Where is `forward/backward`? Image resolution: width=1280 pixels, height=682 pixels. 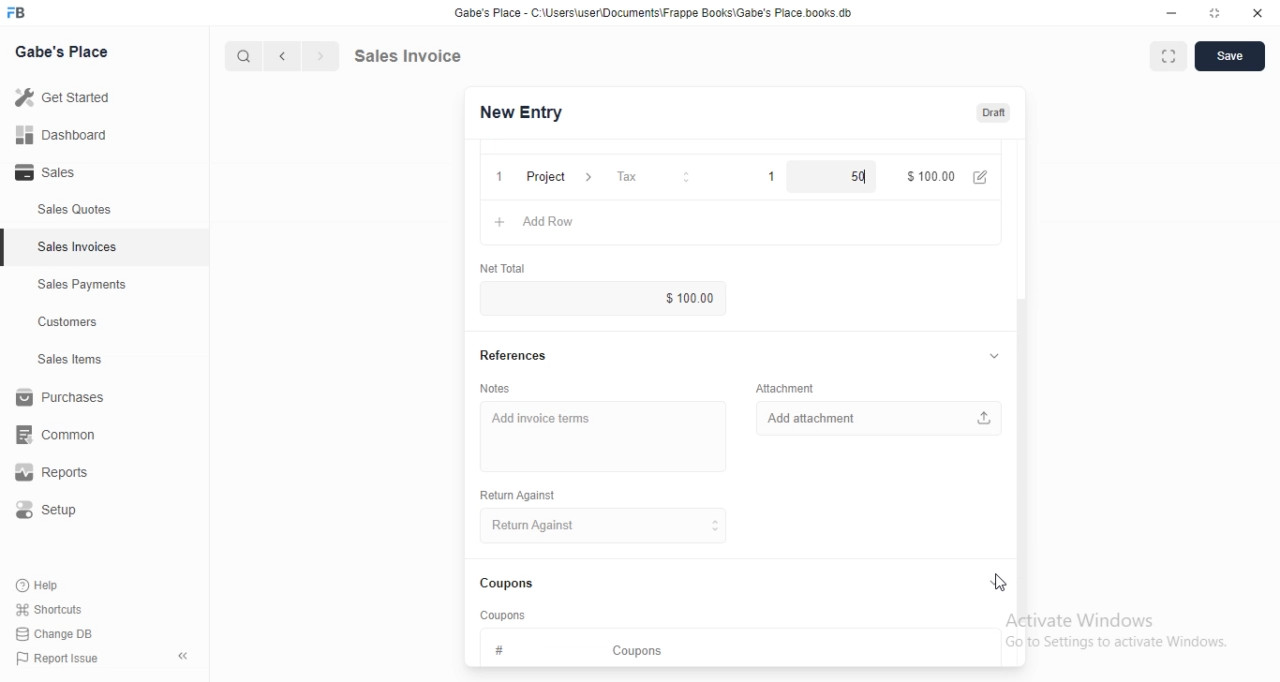
forward/backward is located at coordinates (300, 56).